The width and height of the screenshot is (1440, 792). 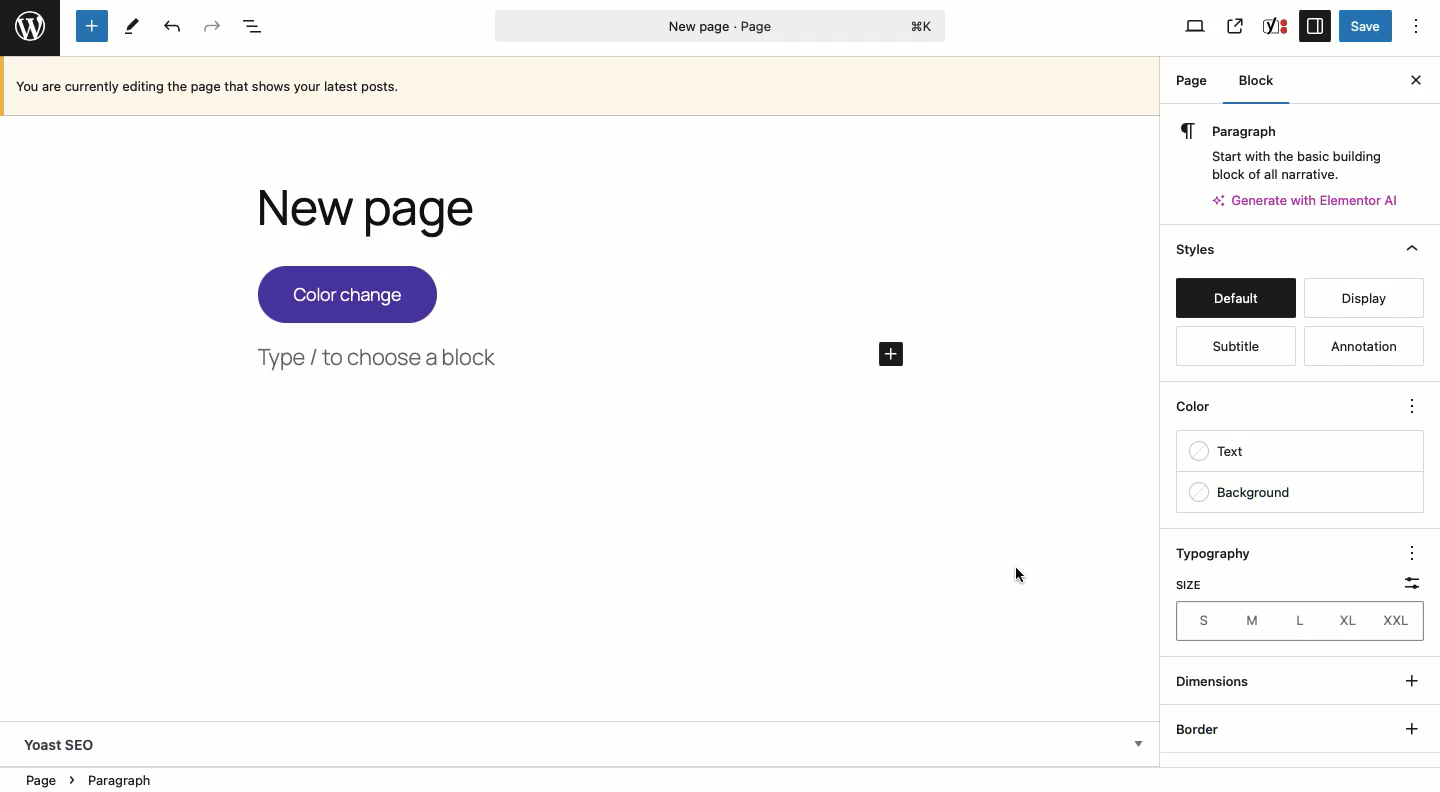 What do you see at coordinates (1417, 25) in the screenshot?
I see `Options` at bounding box center [1417, 25].